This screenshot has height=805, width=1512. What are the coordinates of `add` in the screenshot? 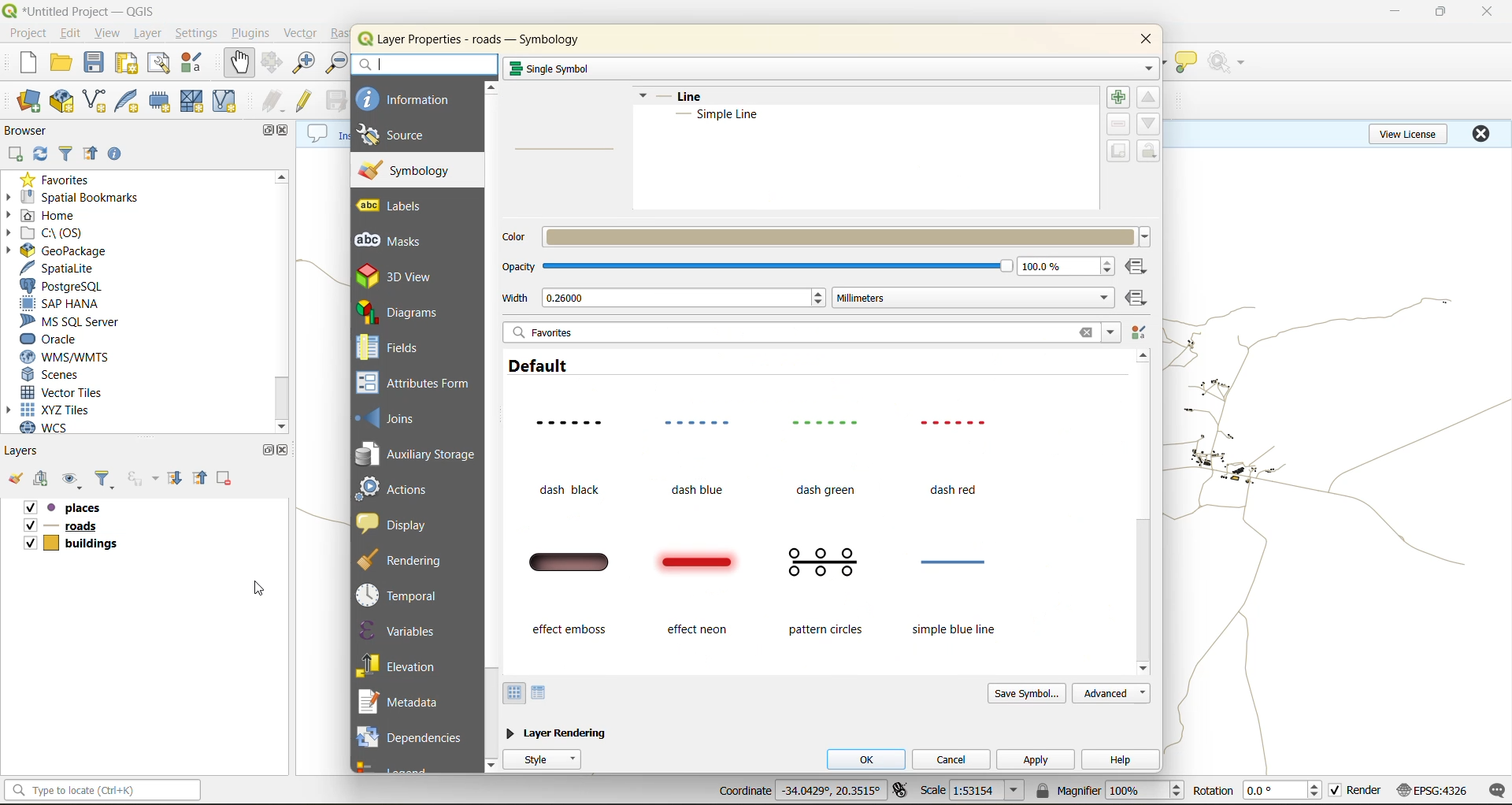 It's located at (15, 157).